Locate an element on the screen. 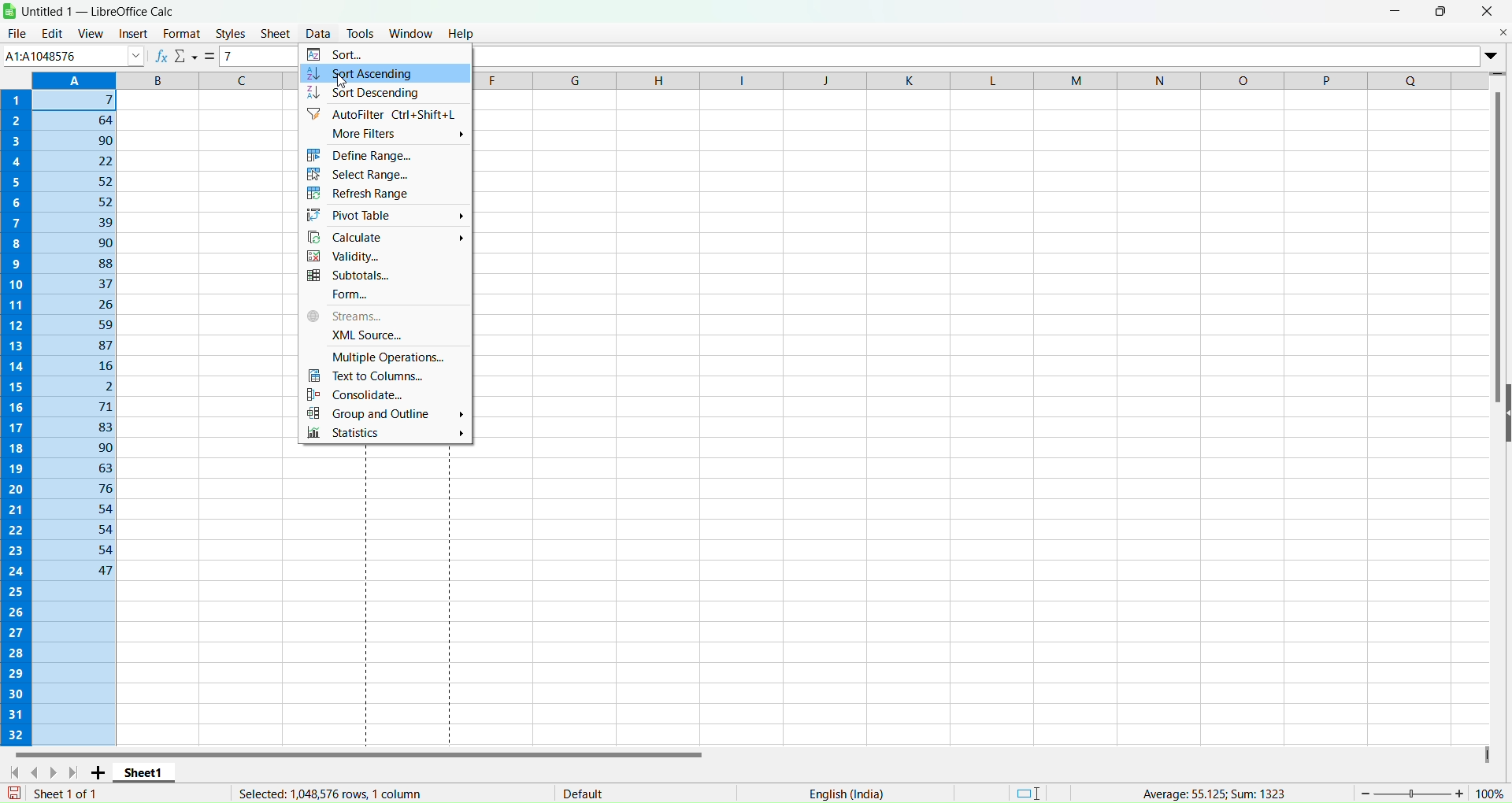  Close is located at coordinates (1487, 11).